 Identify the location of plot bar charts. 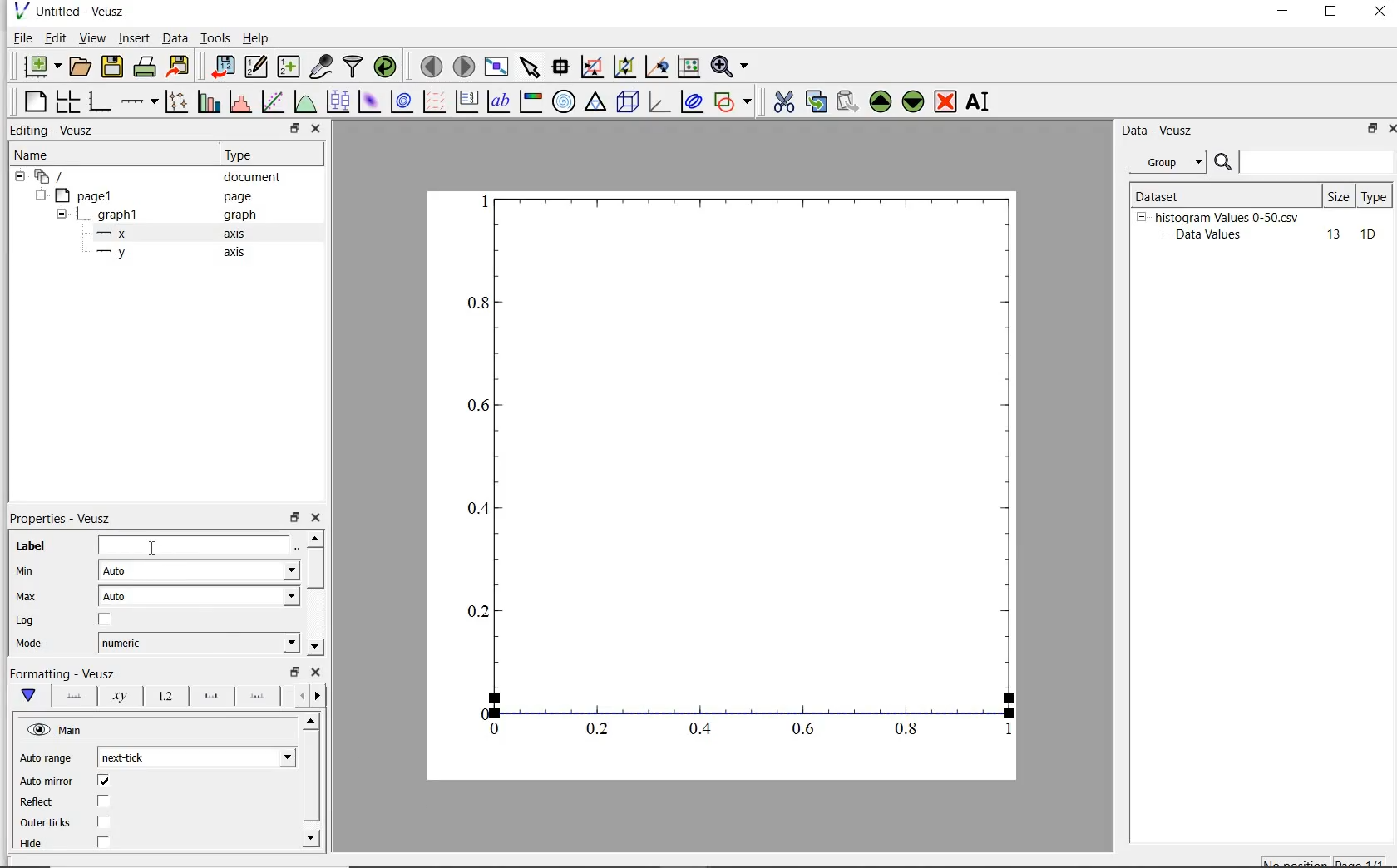
(209, 101).